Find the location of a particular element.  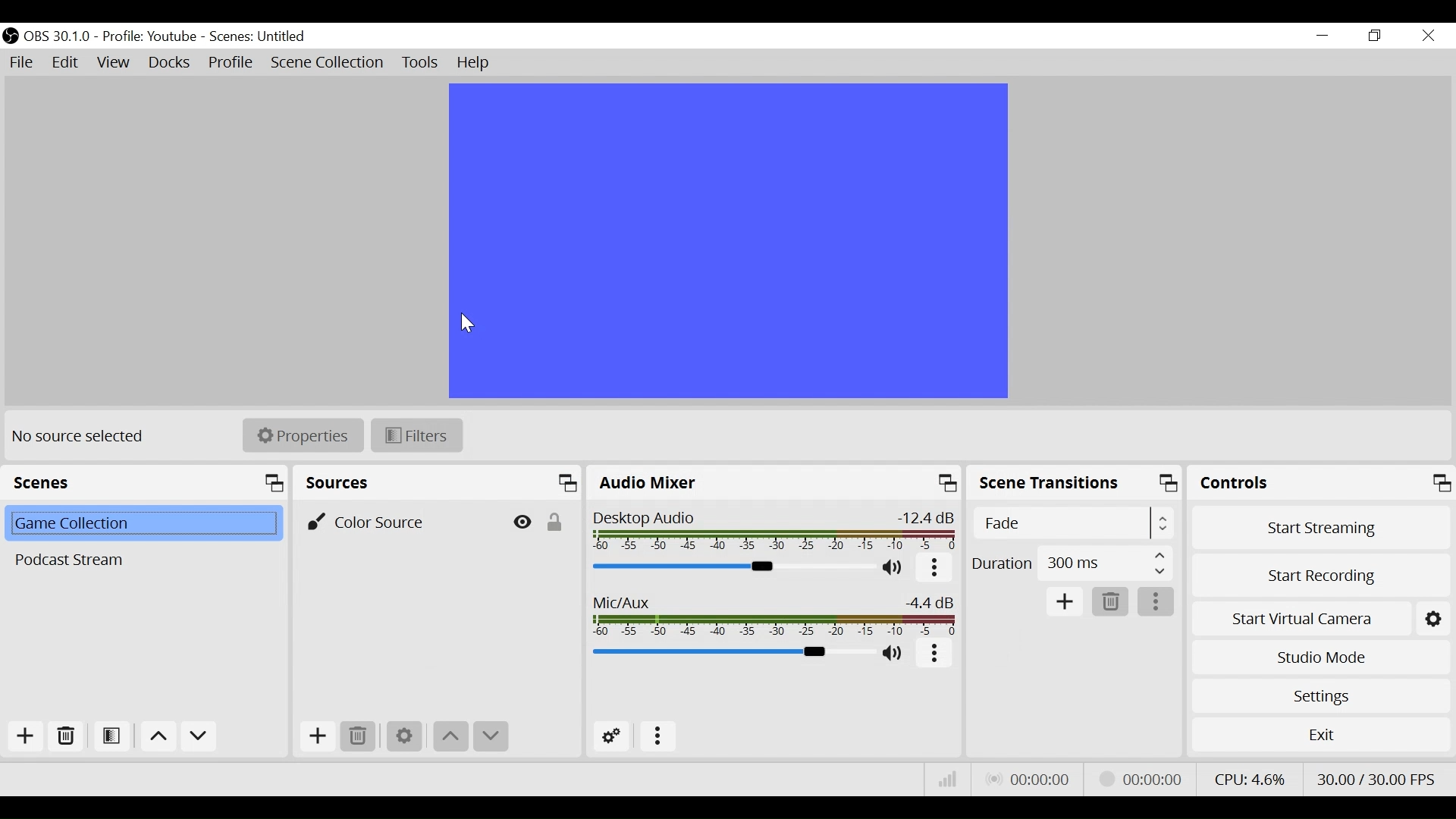

CPU Usage is located at coordinates (1249, 779).